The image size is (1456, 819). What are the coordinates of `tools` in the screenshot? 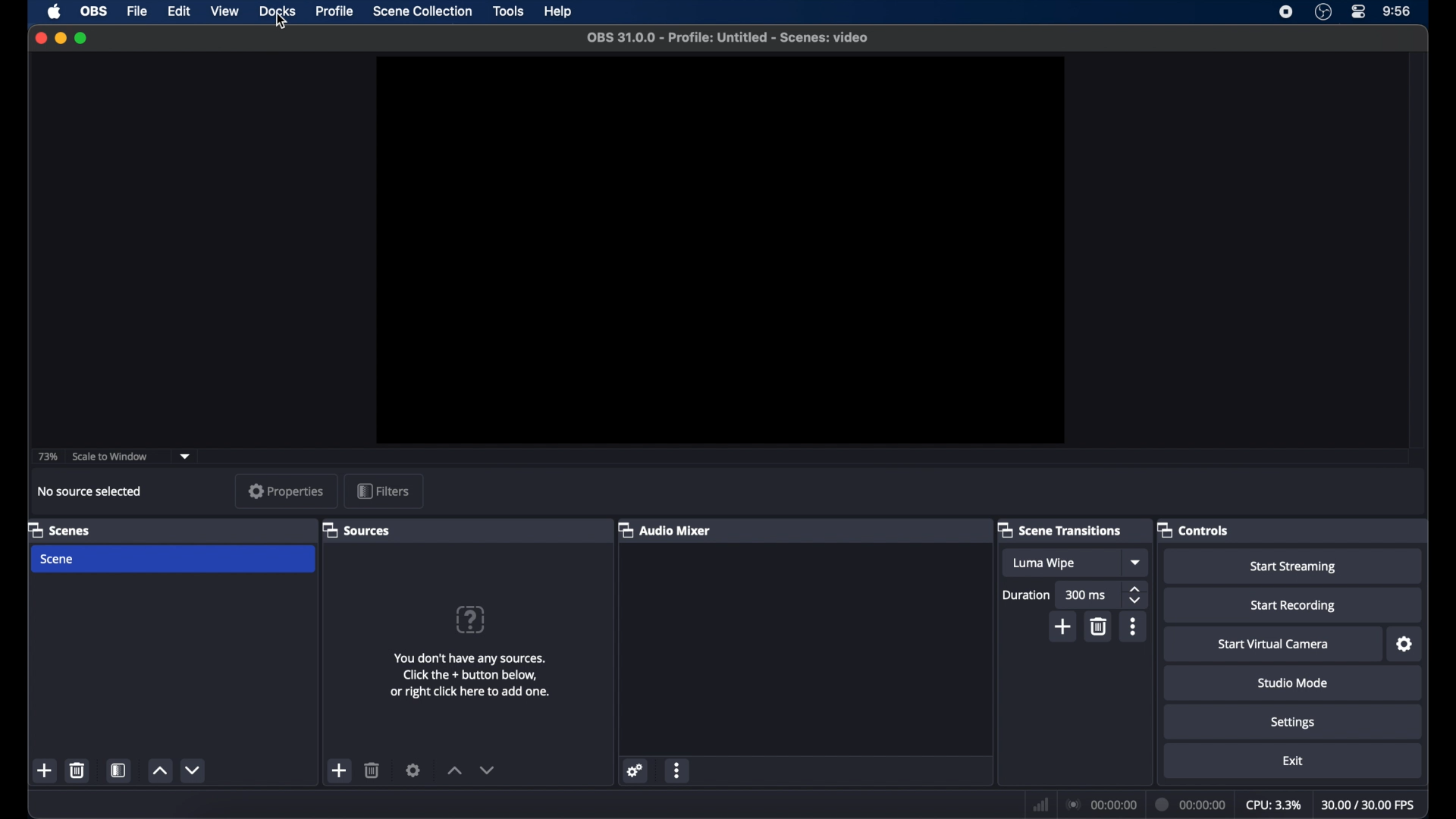 It's located at (509, 11).